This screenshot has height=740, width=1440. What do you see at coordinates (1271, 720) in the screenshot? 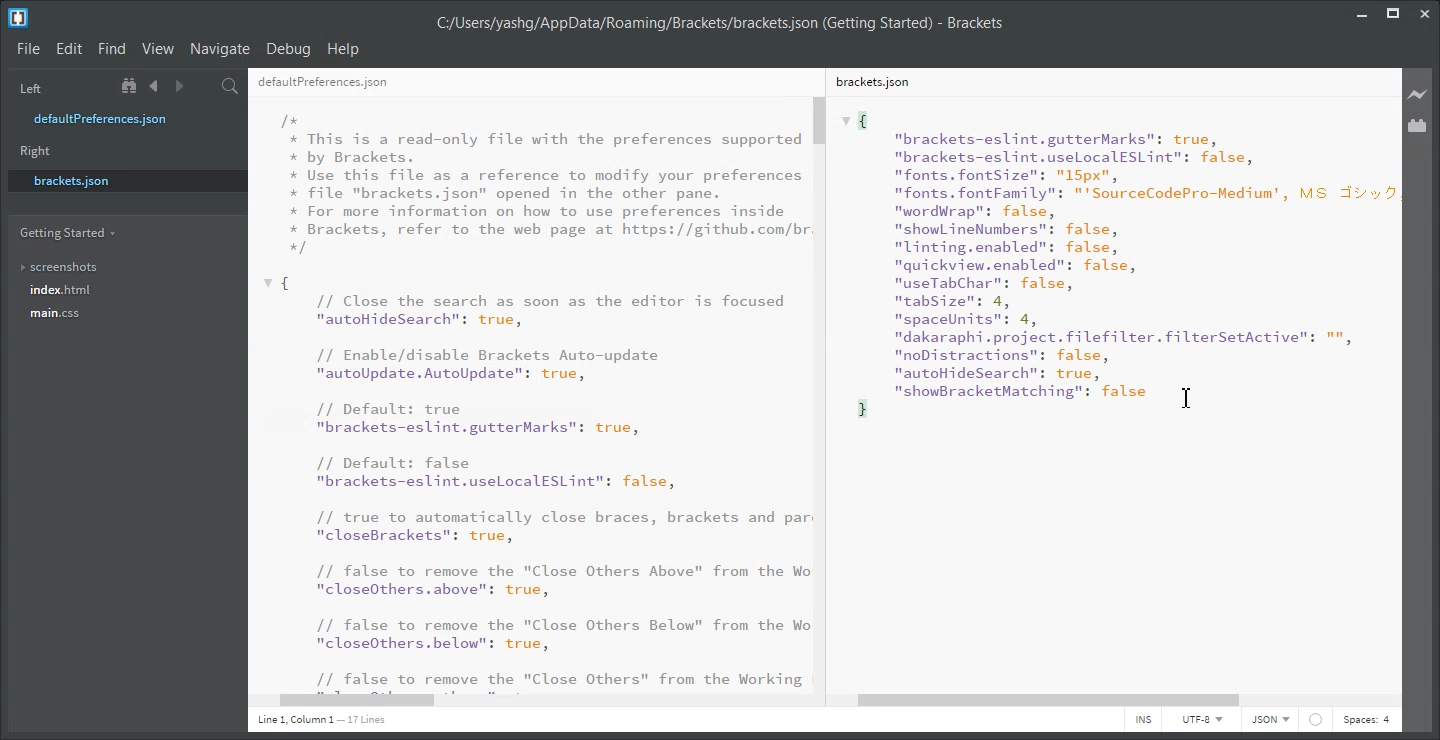
I see `JSON` at bounding box center [1271, 720].